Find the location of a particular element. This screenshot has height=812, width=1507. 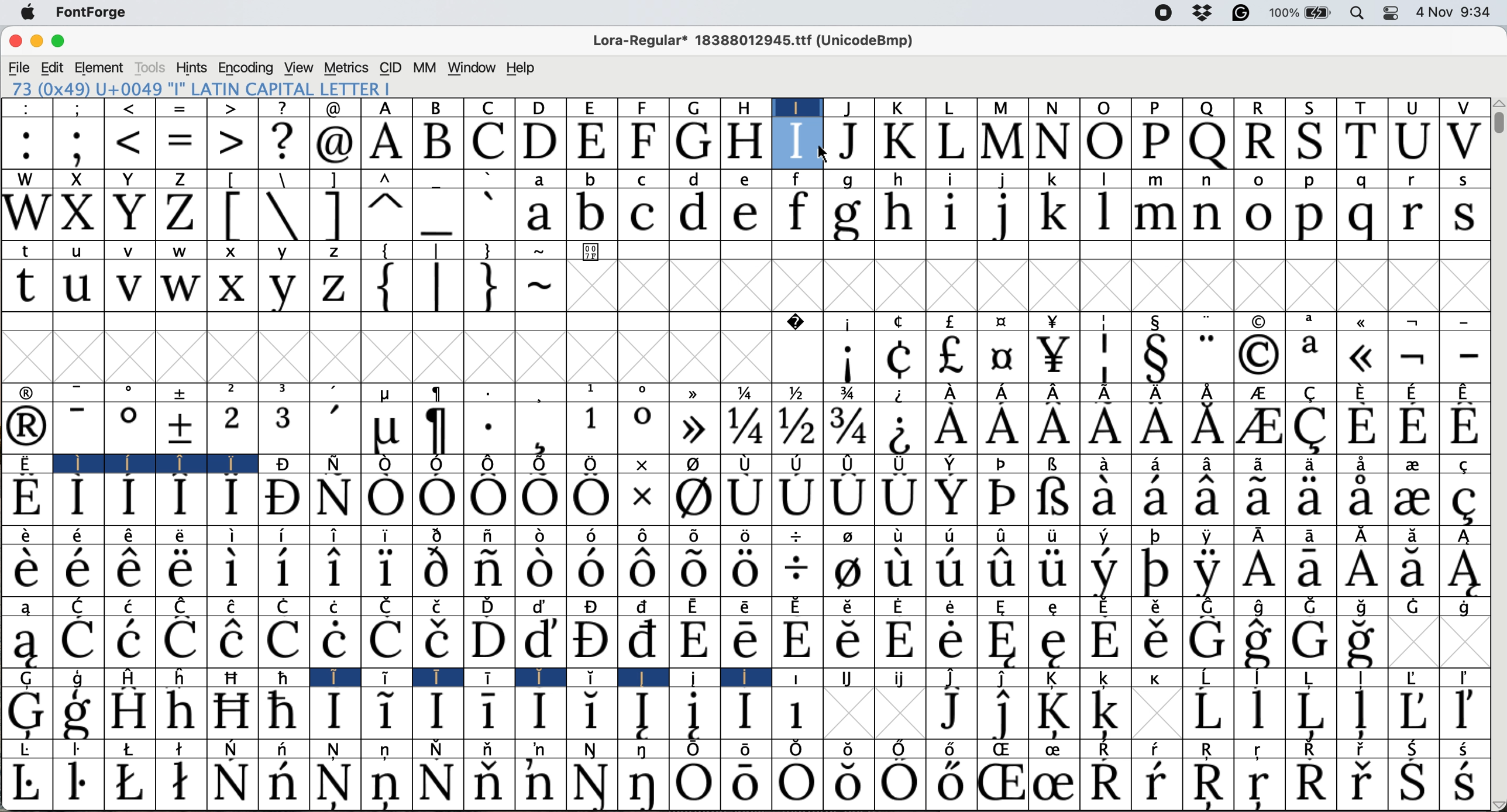

Symbol is located at coordinates (589, 572).